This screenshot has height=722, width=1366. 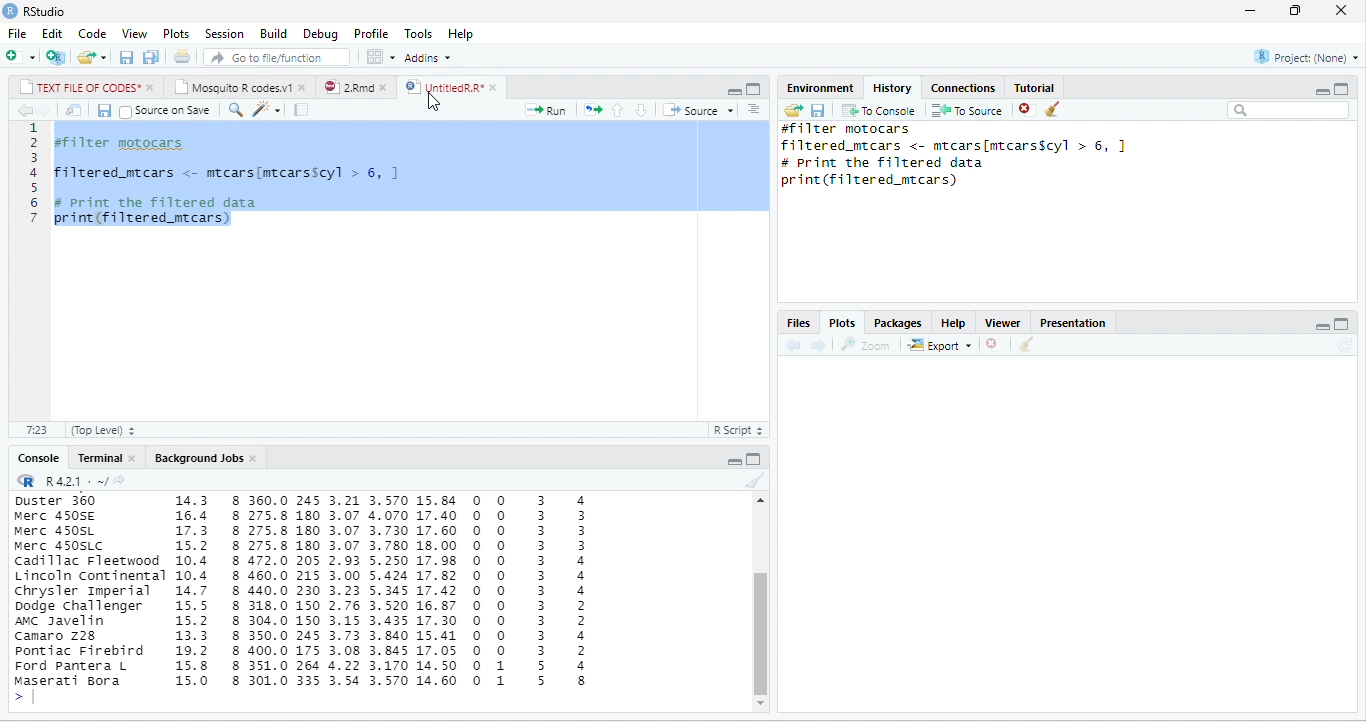 What do you see at coordinates (86, 590) in the screenshot?
I see `Duster 360 merc 450se merc 450sl Merc 450sLC Cadillac Fleetwood Lincoln continental chrysler Imperial Dodge Challenger amc Javelin camaro 228 pontiac Firebird Ford pantera L Maserati Bora` at bounding box center [86, 590].